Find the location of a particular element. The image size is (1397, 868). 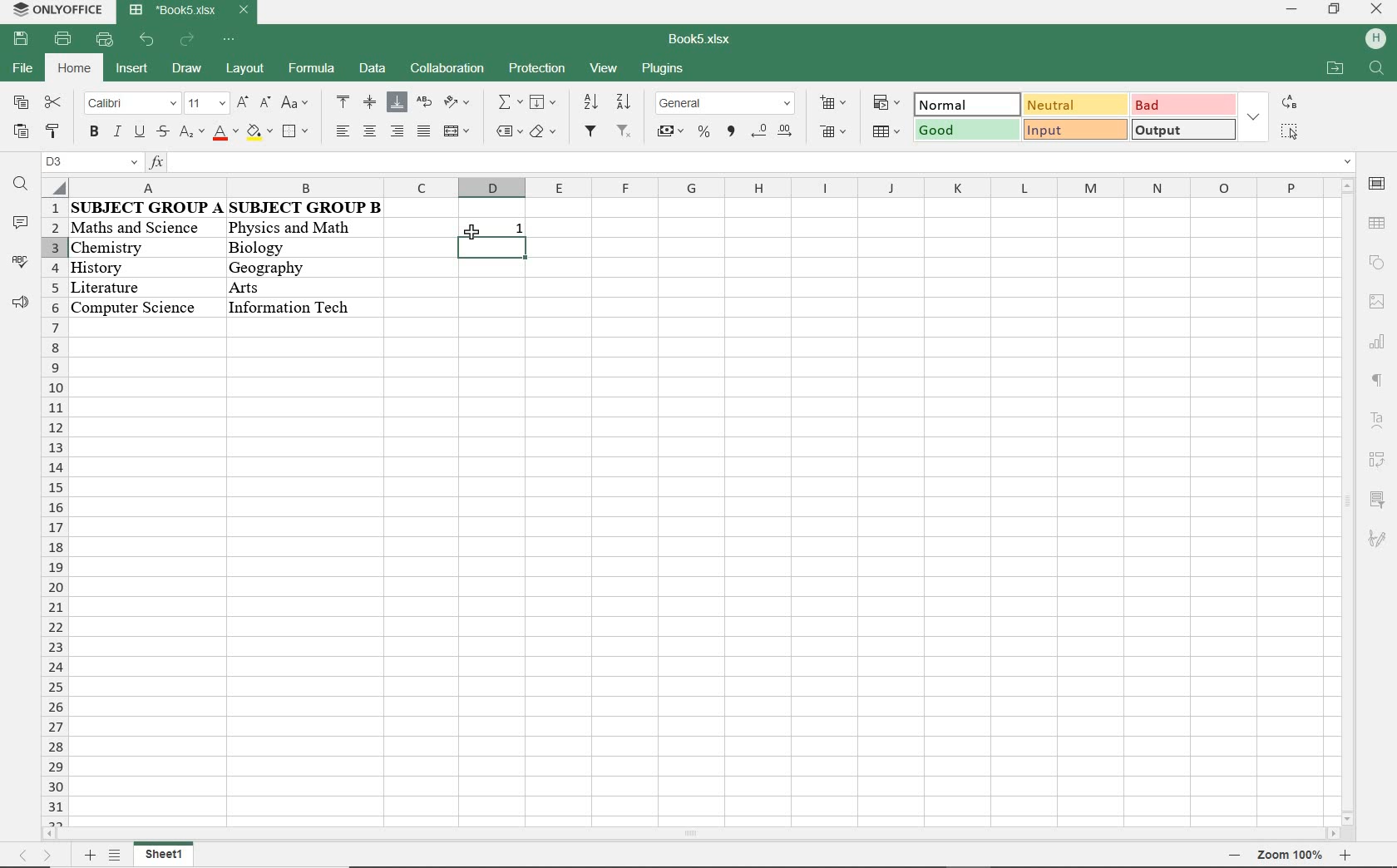

insert cells is located at coordinates (832, 104).